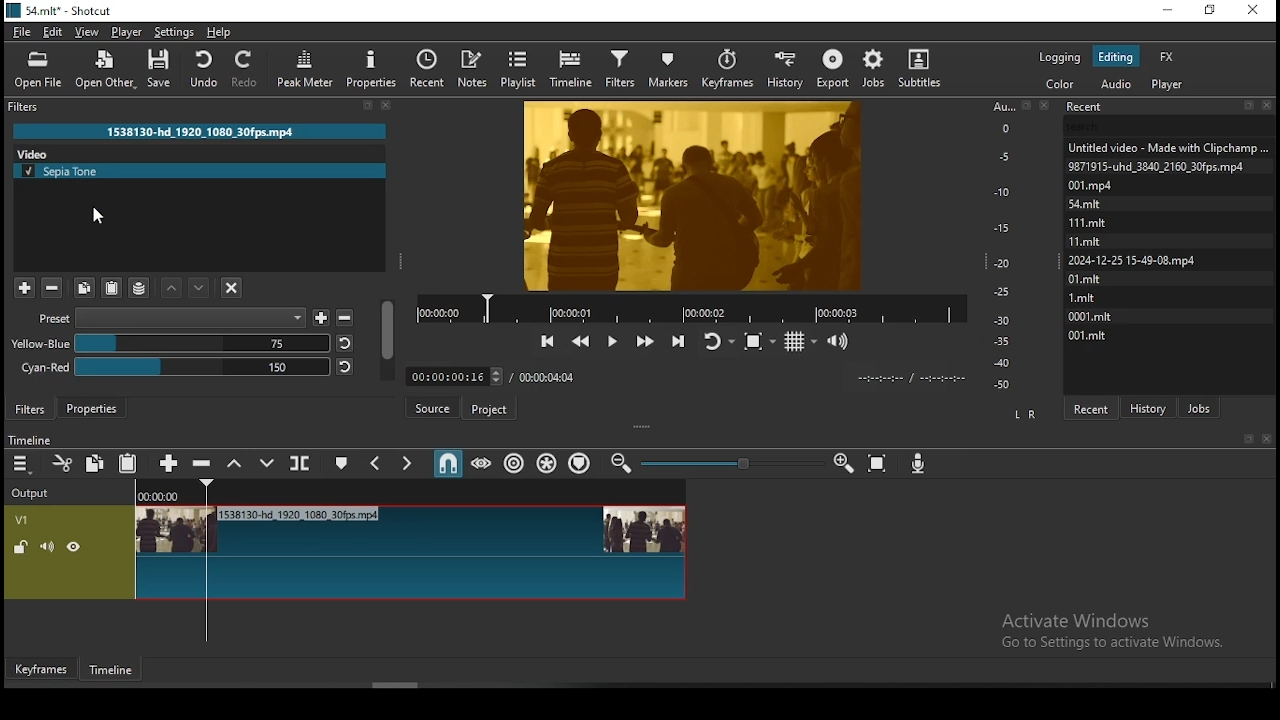 Image resolution: width=1280 pixels, height=720 pixels. What do you see at coordinates (237, 464) in the screenshot?
I see `lift` at bounding box center [237, 464].